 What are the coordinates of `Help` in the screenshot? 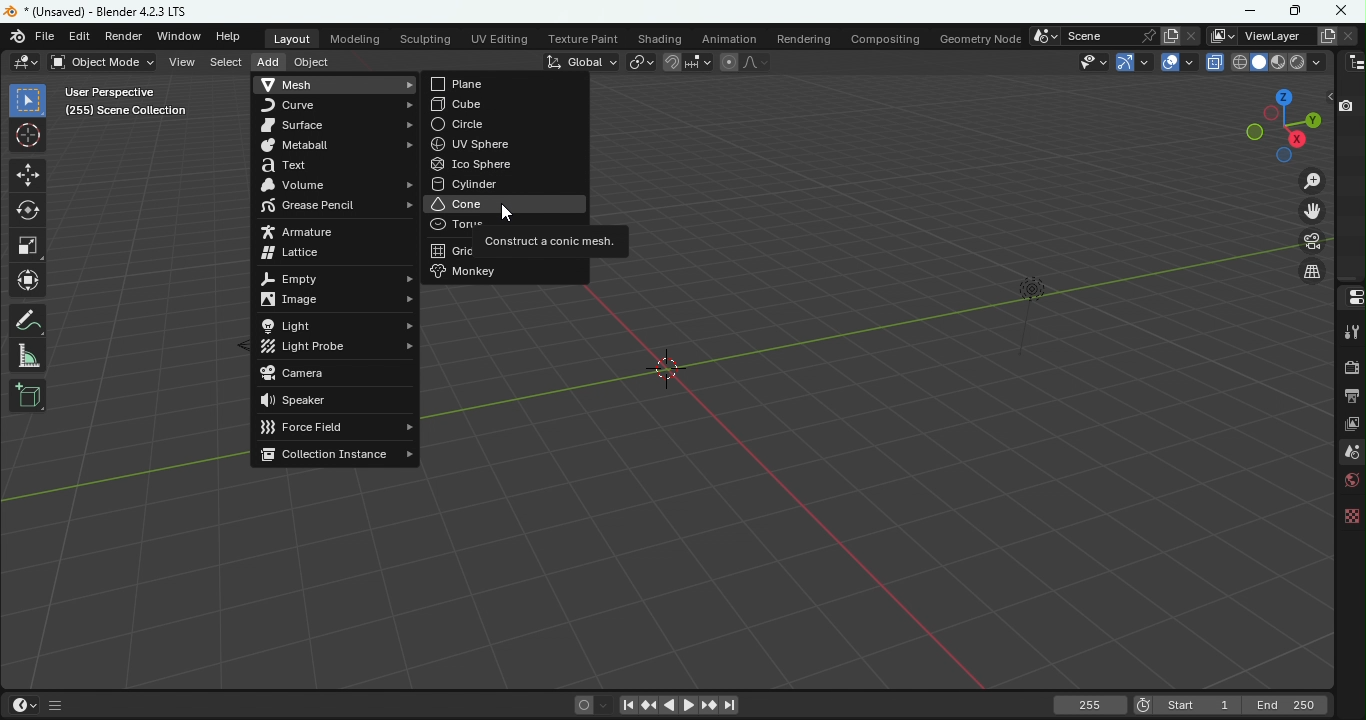 It's located at (235, 37).